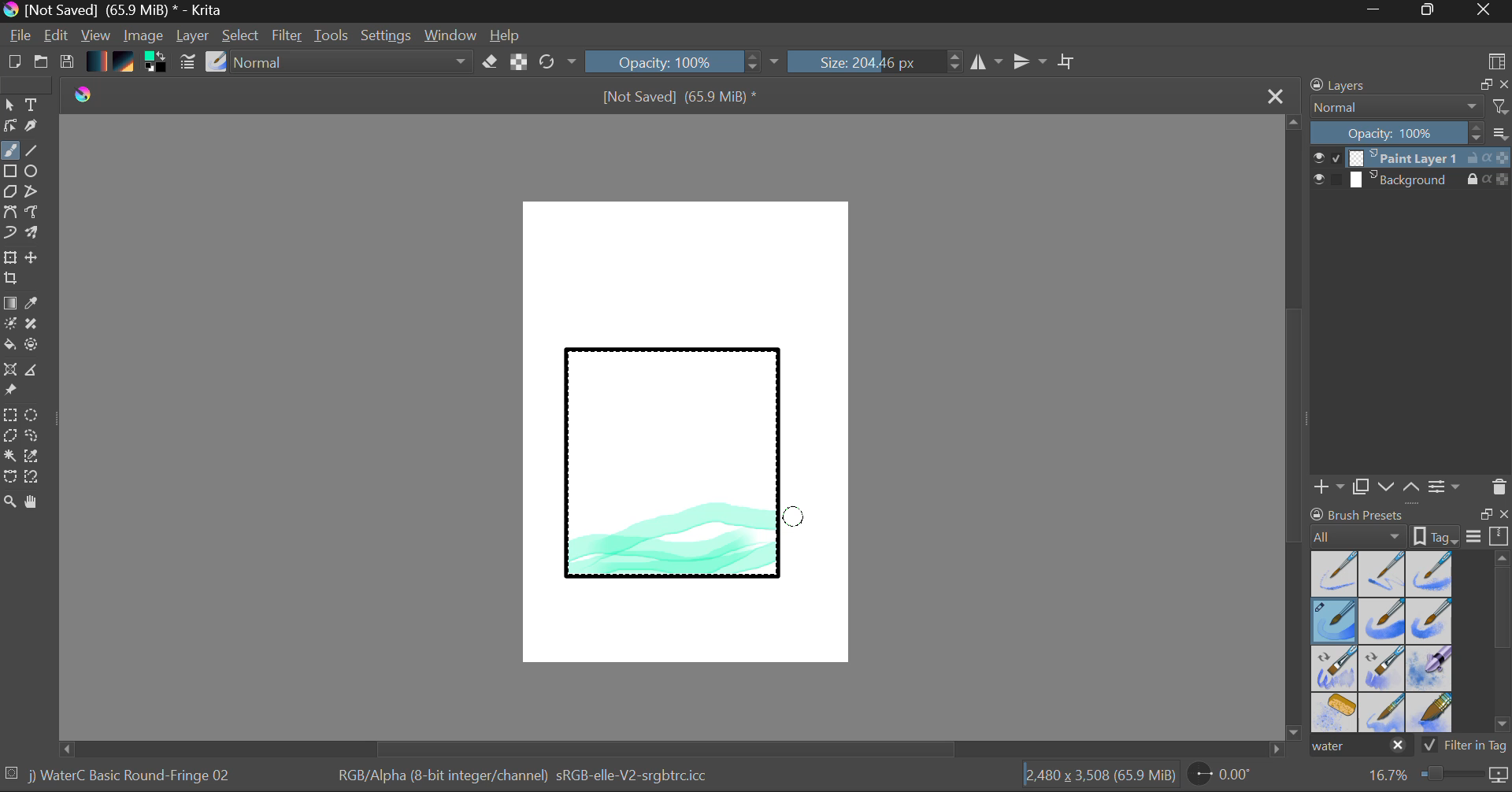 The height and width of the screenshot is (792, 1512). Describe the element at coordinates (1382, 667) in the screenshot. I see `Water C - Decay Tilt` at that location.